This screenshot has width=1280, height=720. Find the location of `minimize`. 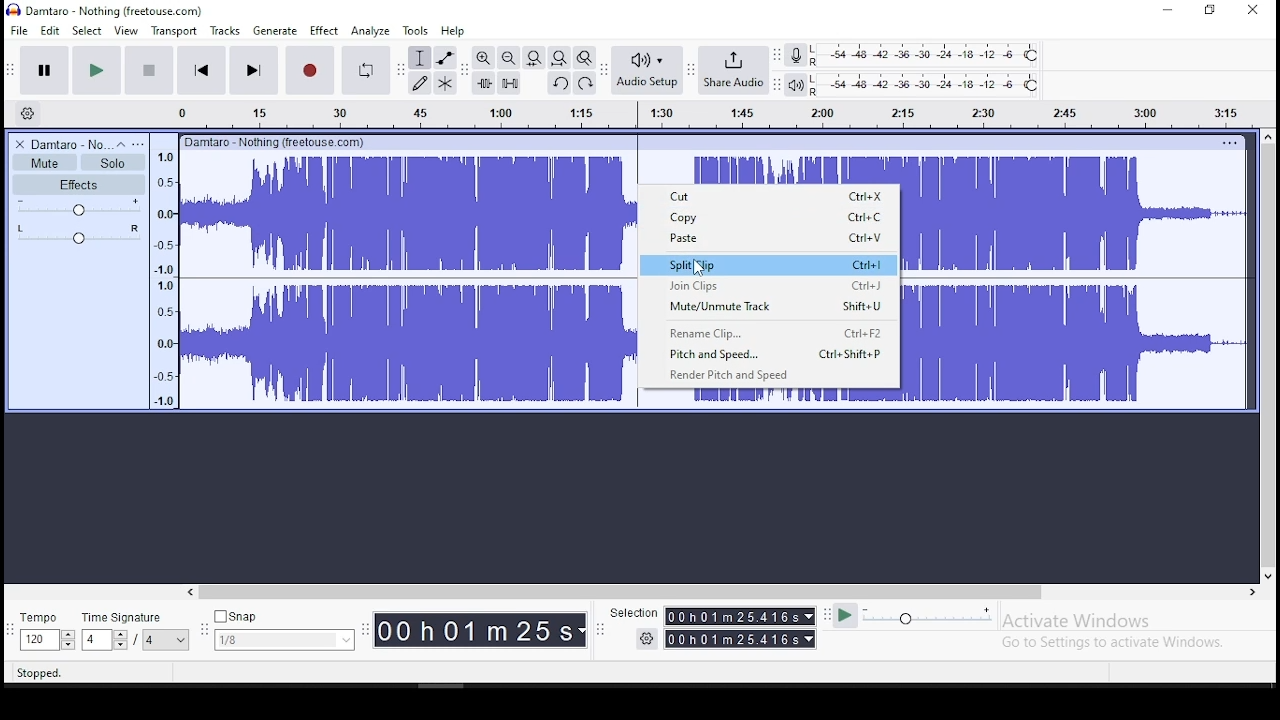

minimize is located at coordinates (1168, 10).